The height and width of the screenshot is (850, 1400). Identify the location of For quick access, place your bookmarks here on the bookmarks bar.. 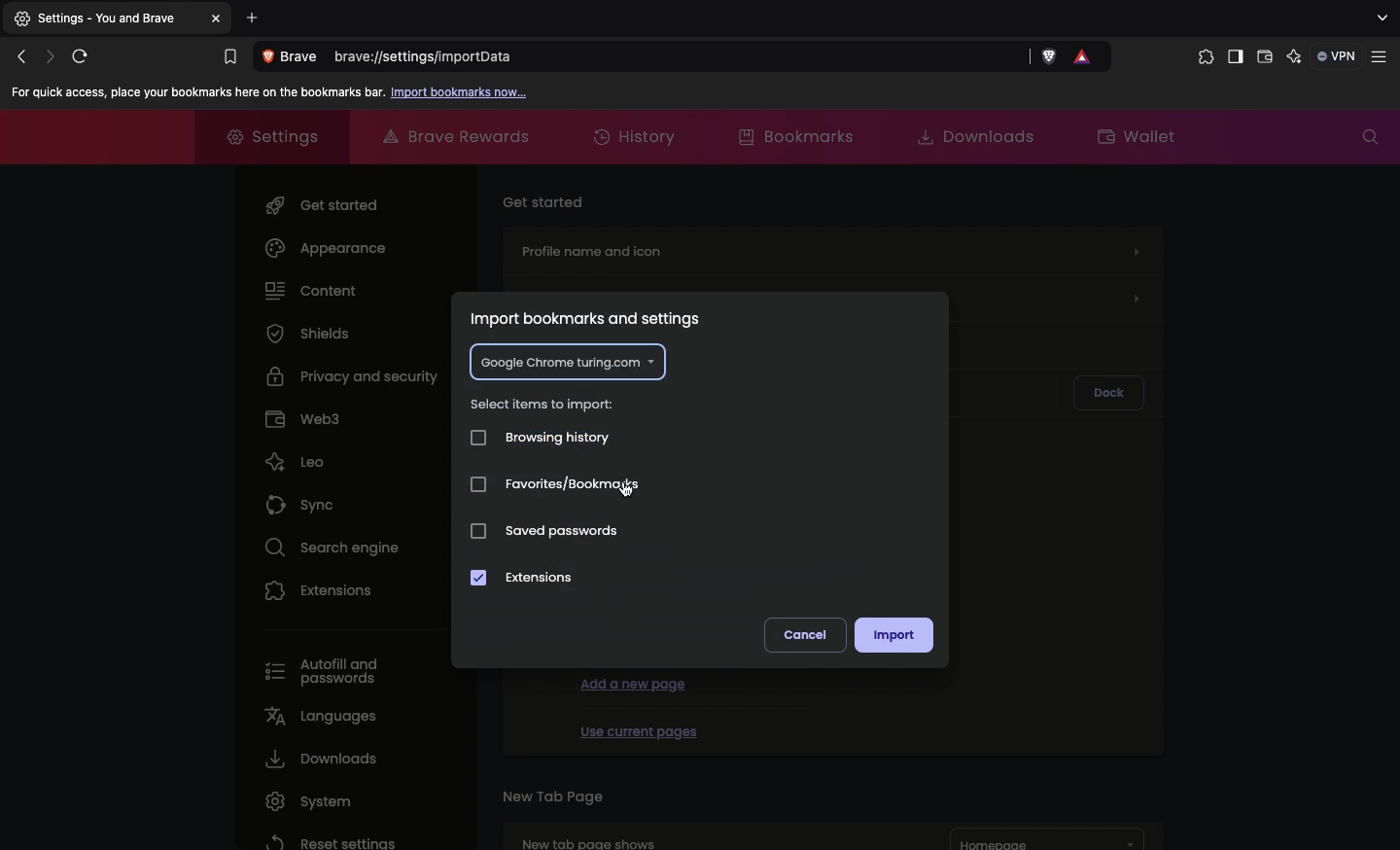
(194, 92).